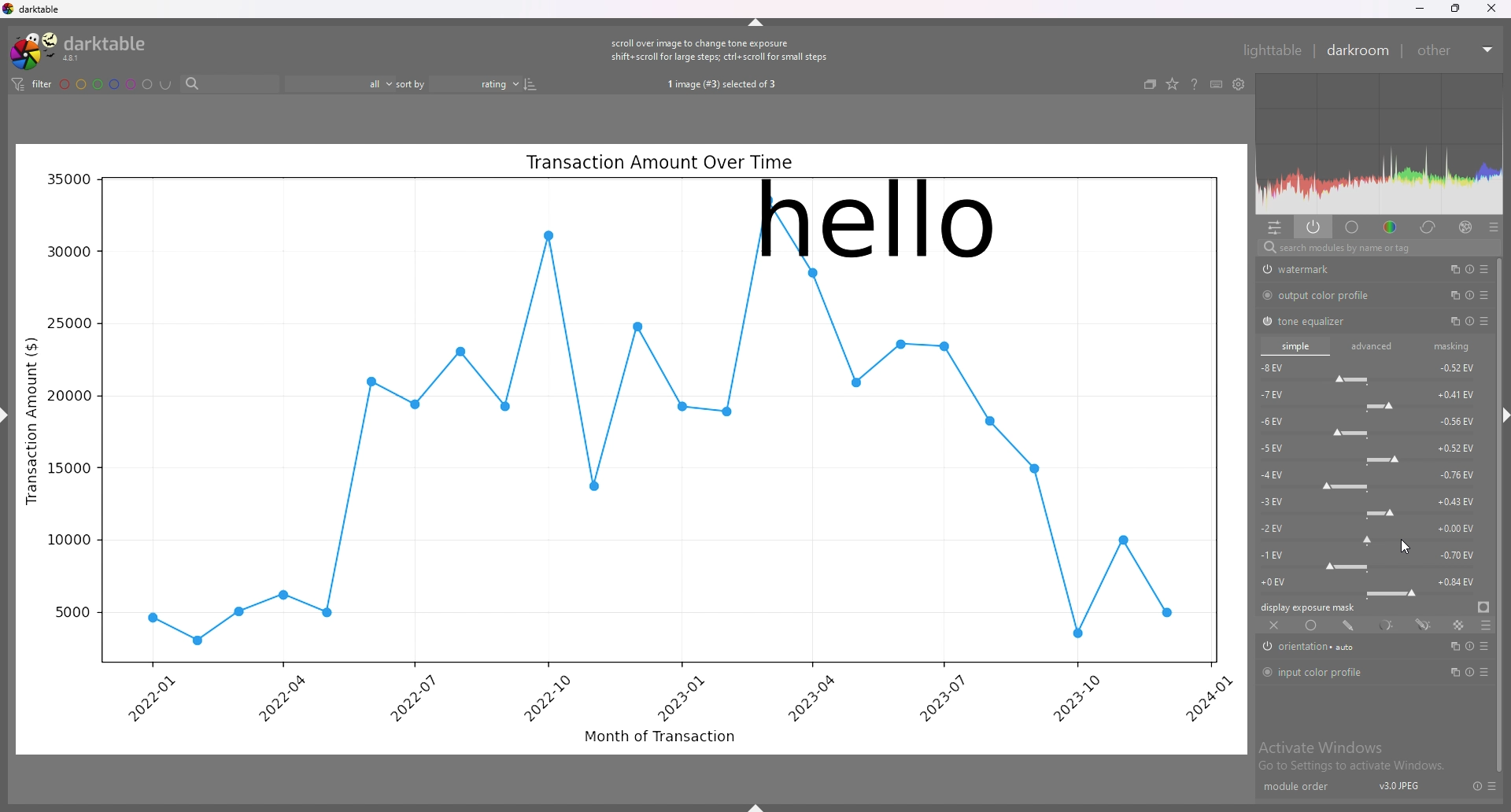 Image resolution: width=1511 pixels, height=812 pixels. I want to click on close, so click(1490, 8).